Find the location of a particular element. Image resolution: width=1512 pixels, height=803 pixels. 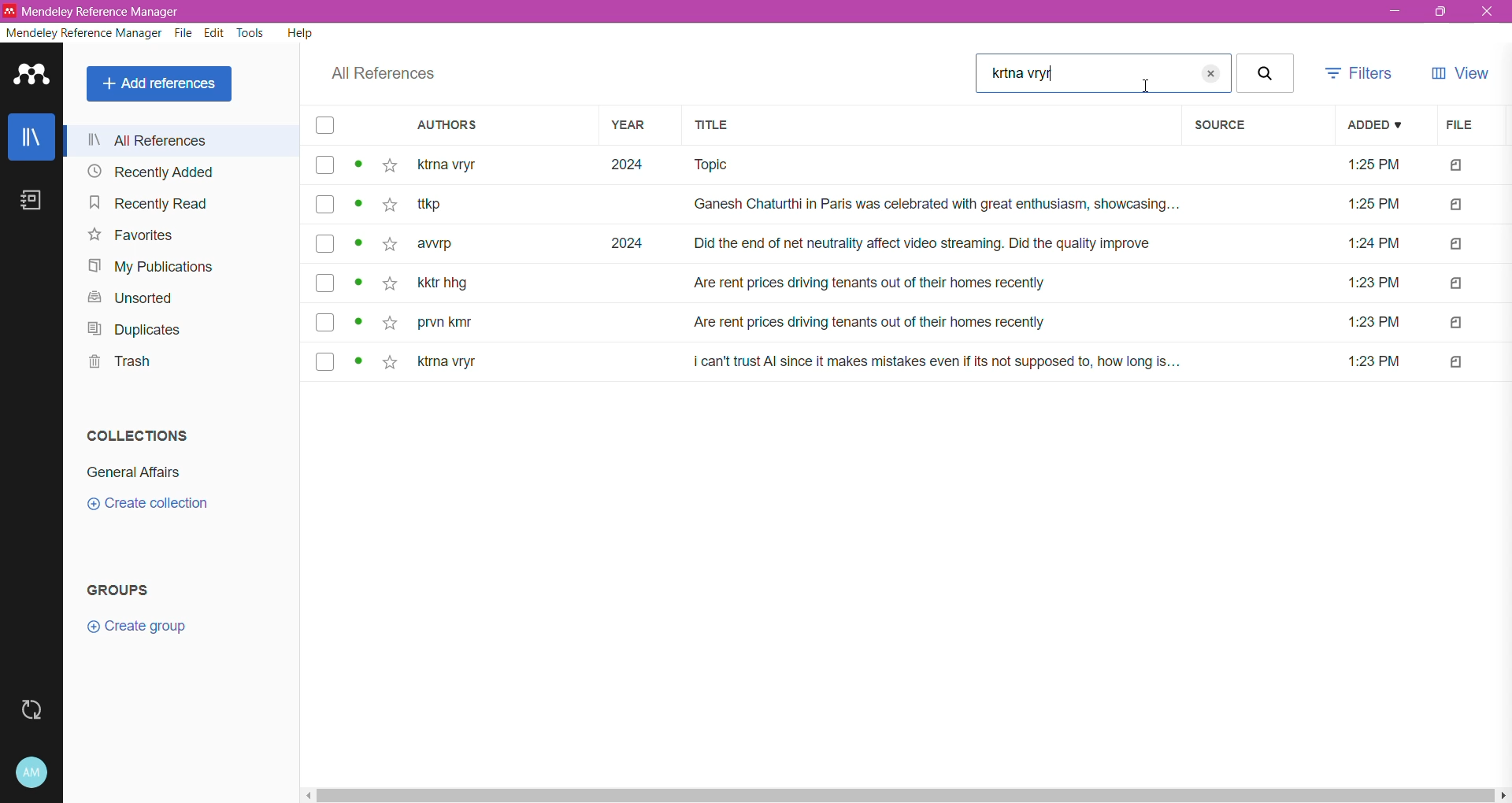

prvn kmr Are rent prices driving tenants out of their homes recently 1:23PM is located at coordinates (917, 324).